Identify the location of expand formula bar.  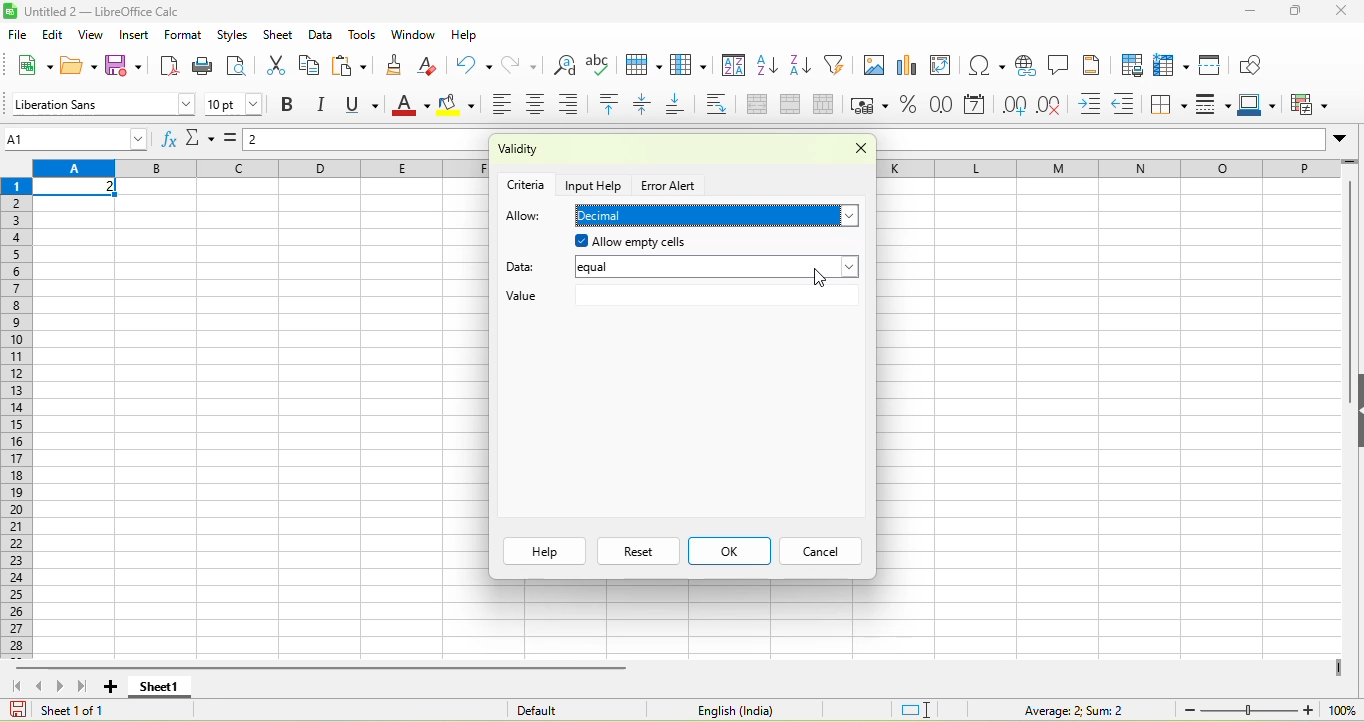
(1345, 142).